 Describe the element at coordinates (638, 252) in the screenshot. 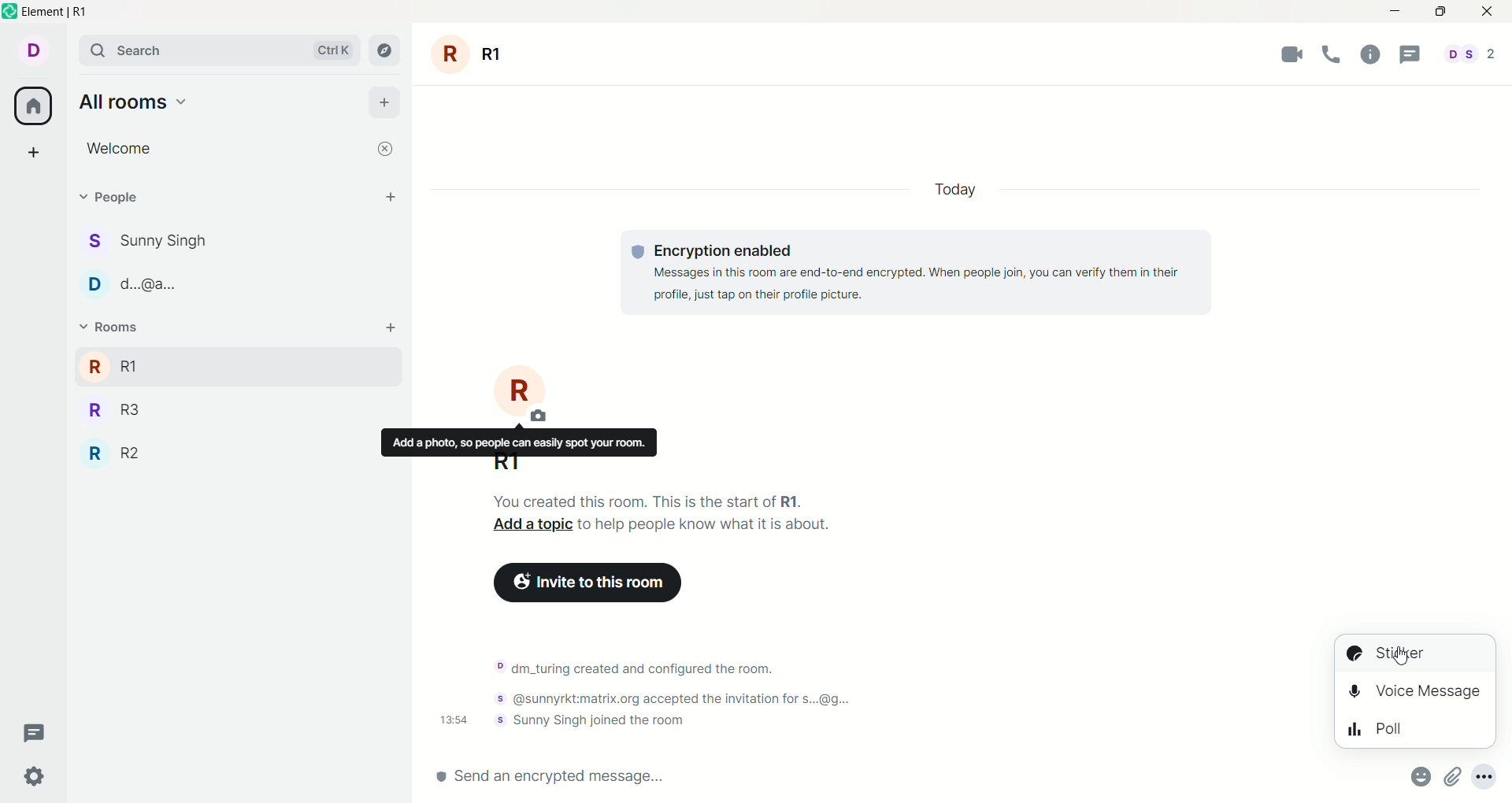

I see `Text logo` at that location.